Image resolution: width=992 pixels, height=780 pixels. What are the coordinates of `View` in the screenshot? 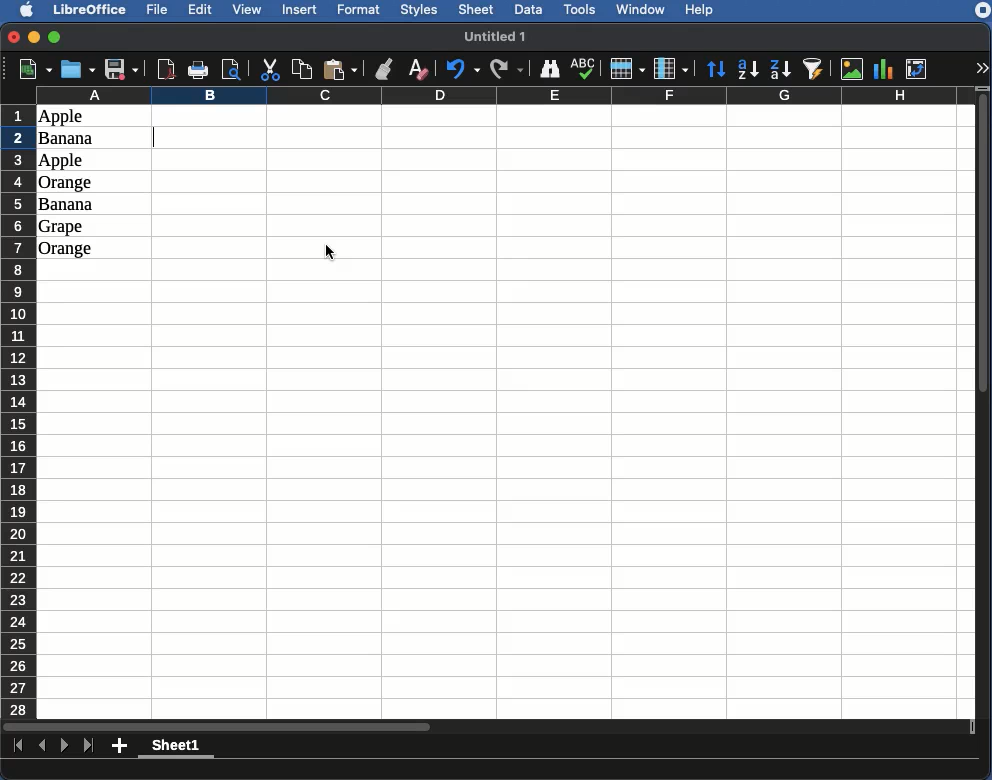 It's located at (249, 11).